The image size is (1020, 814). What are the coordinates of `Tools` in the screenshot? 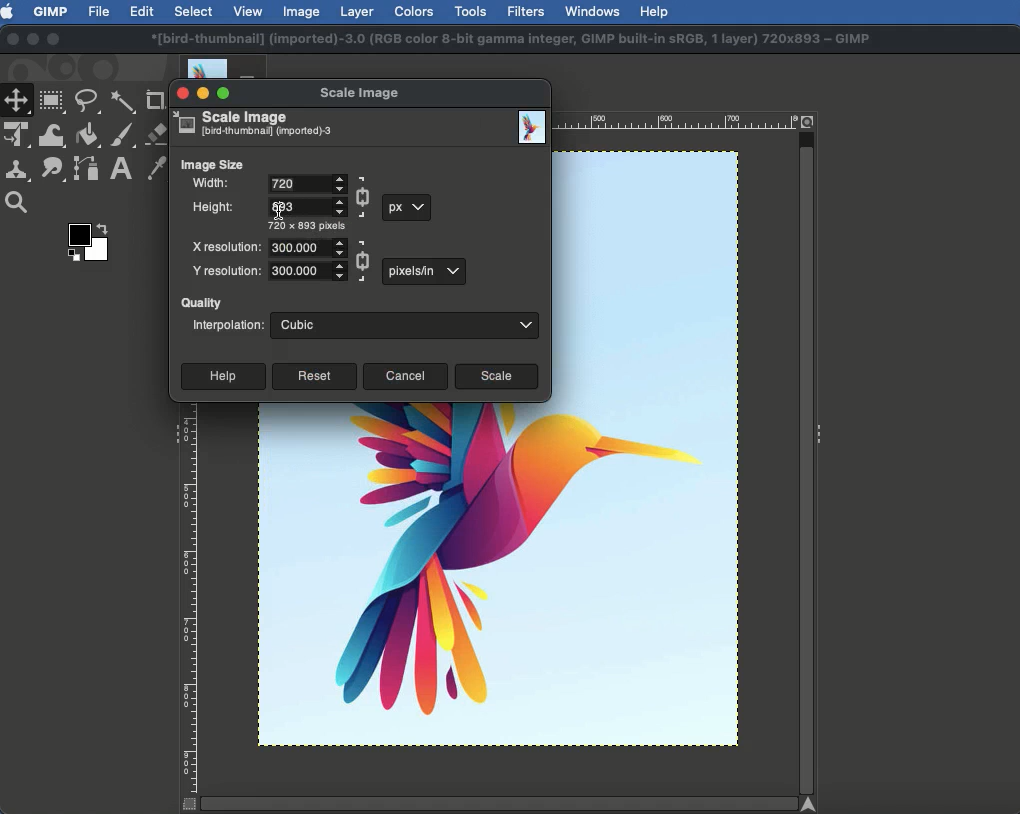 It's located at (469, 12).